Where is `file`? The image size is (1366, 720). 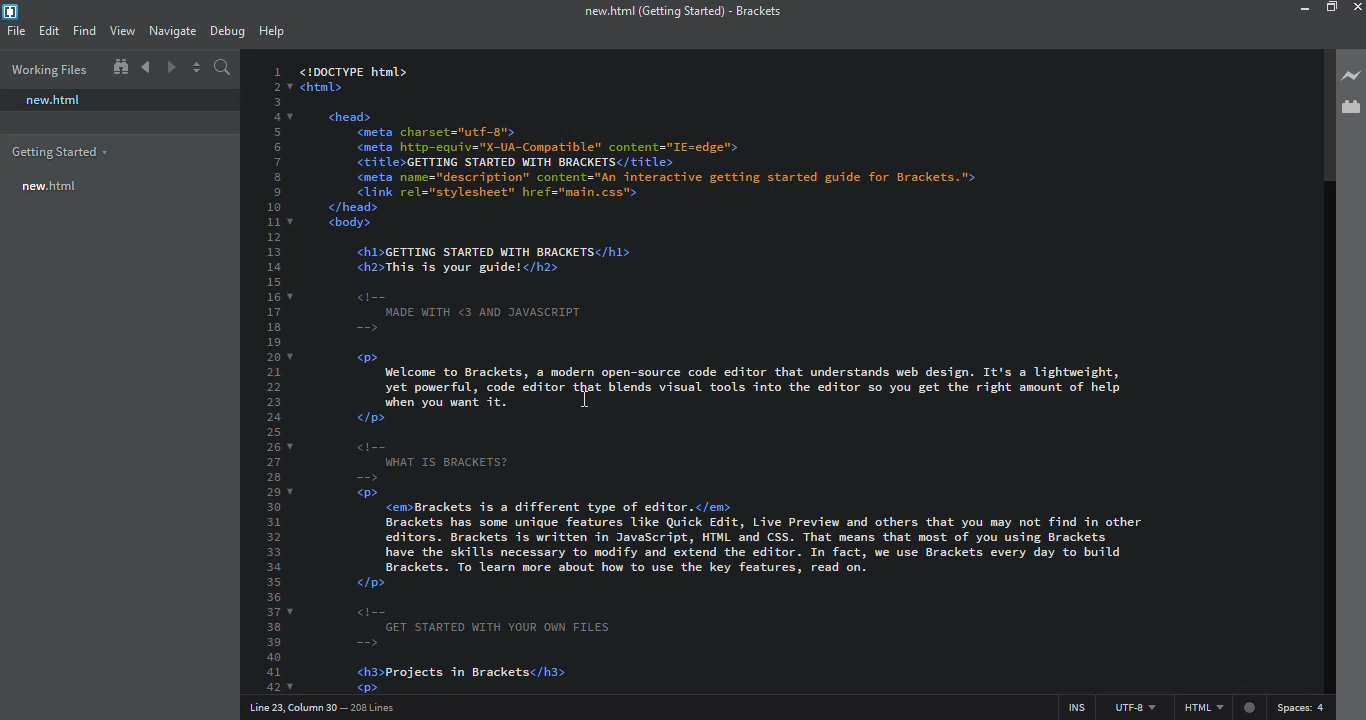 file is located at coordinates (17, 32).